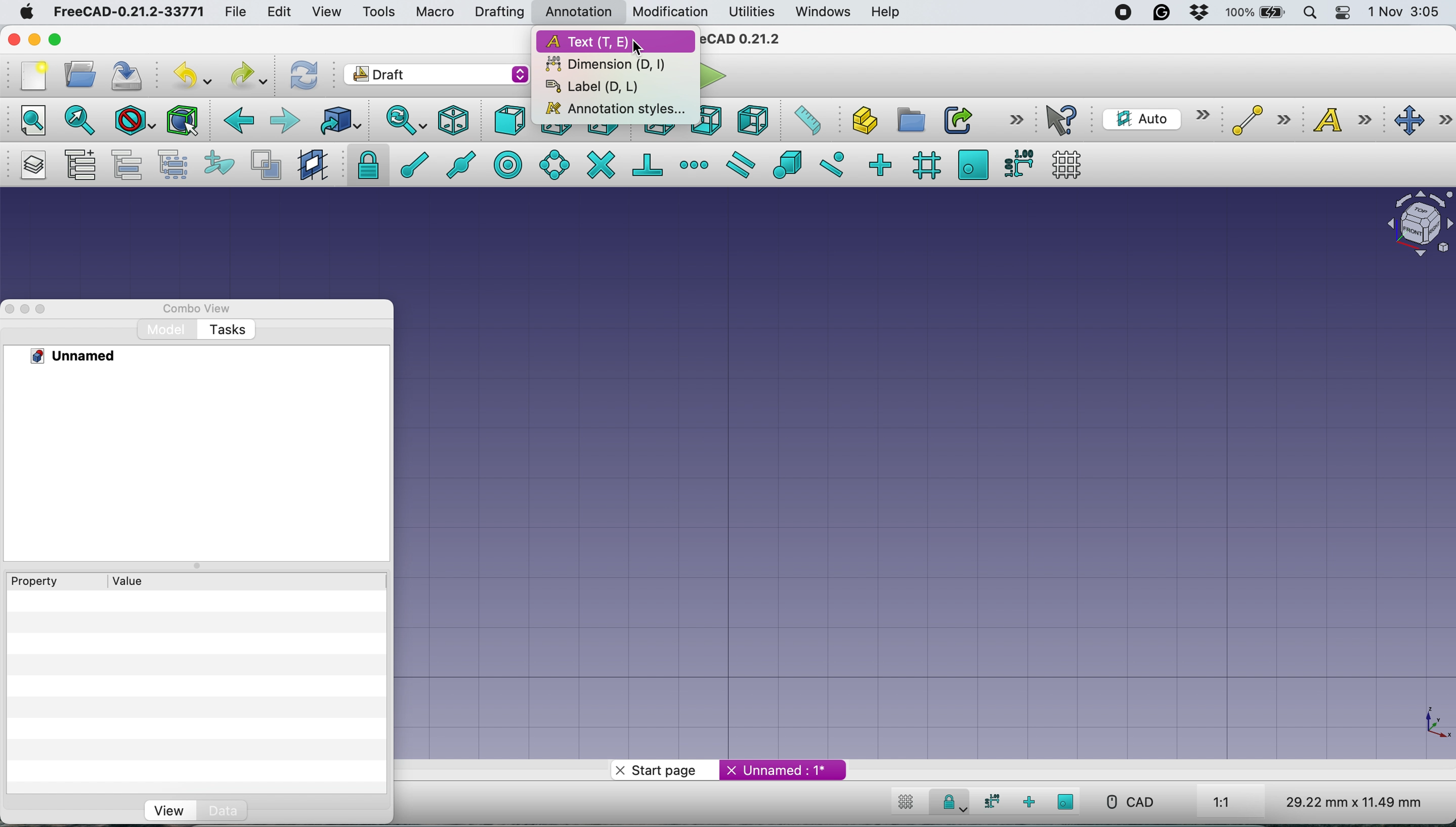 The width and height of the screenshot is (1456, 827). What do you see at coordinates (25, 11) in the screenshot?
I see `system logo` at bounding box center [25, 11].